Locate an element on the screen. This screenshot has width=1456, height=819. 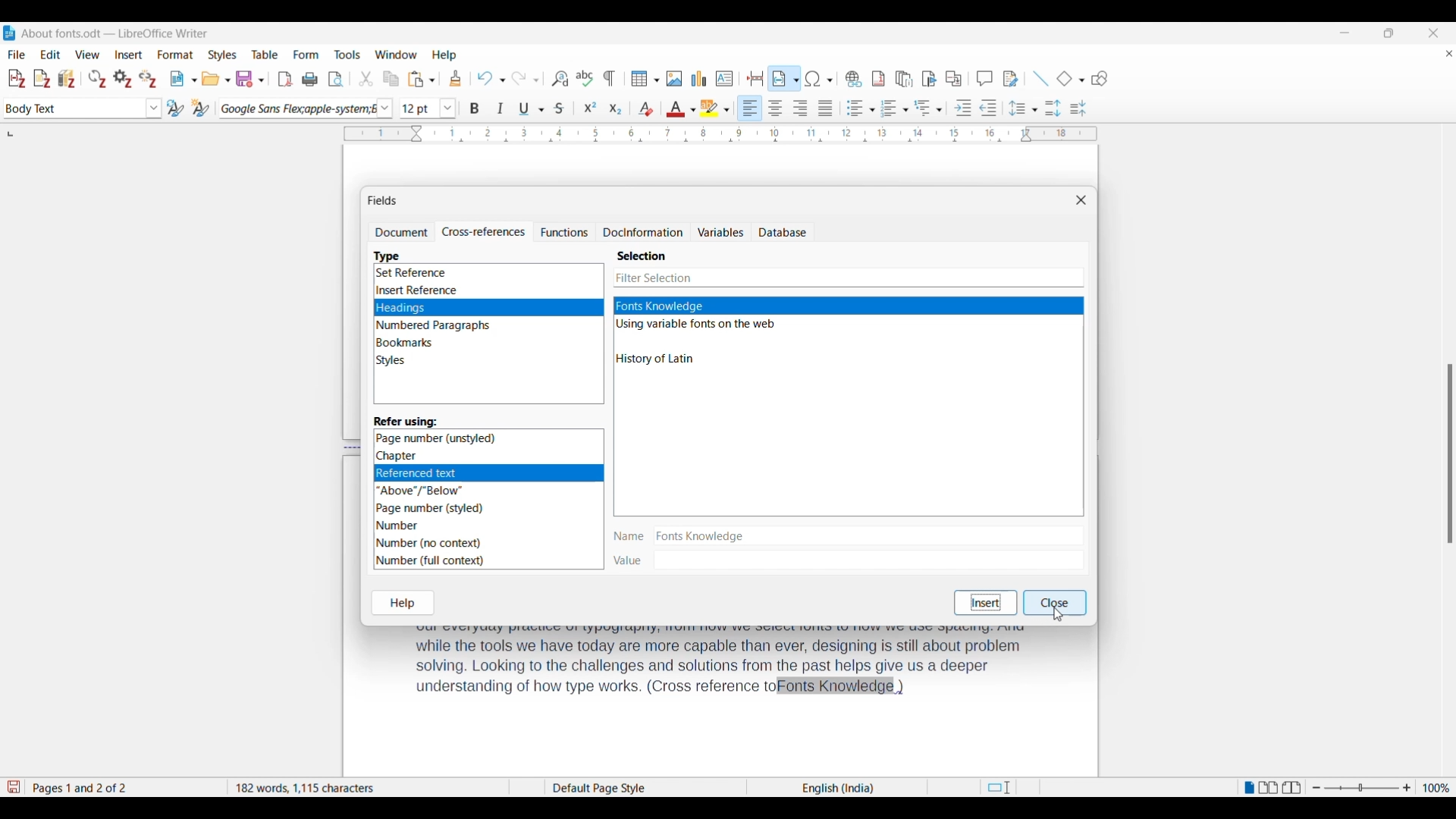
‘Chapter is located at coordinates (399, 456).